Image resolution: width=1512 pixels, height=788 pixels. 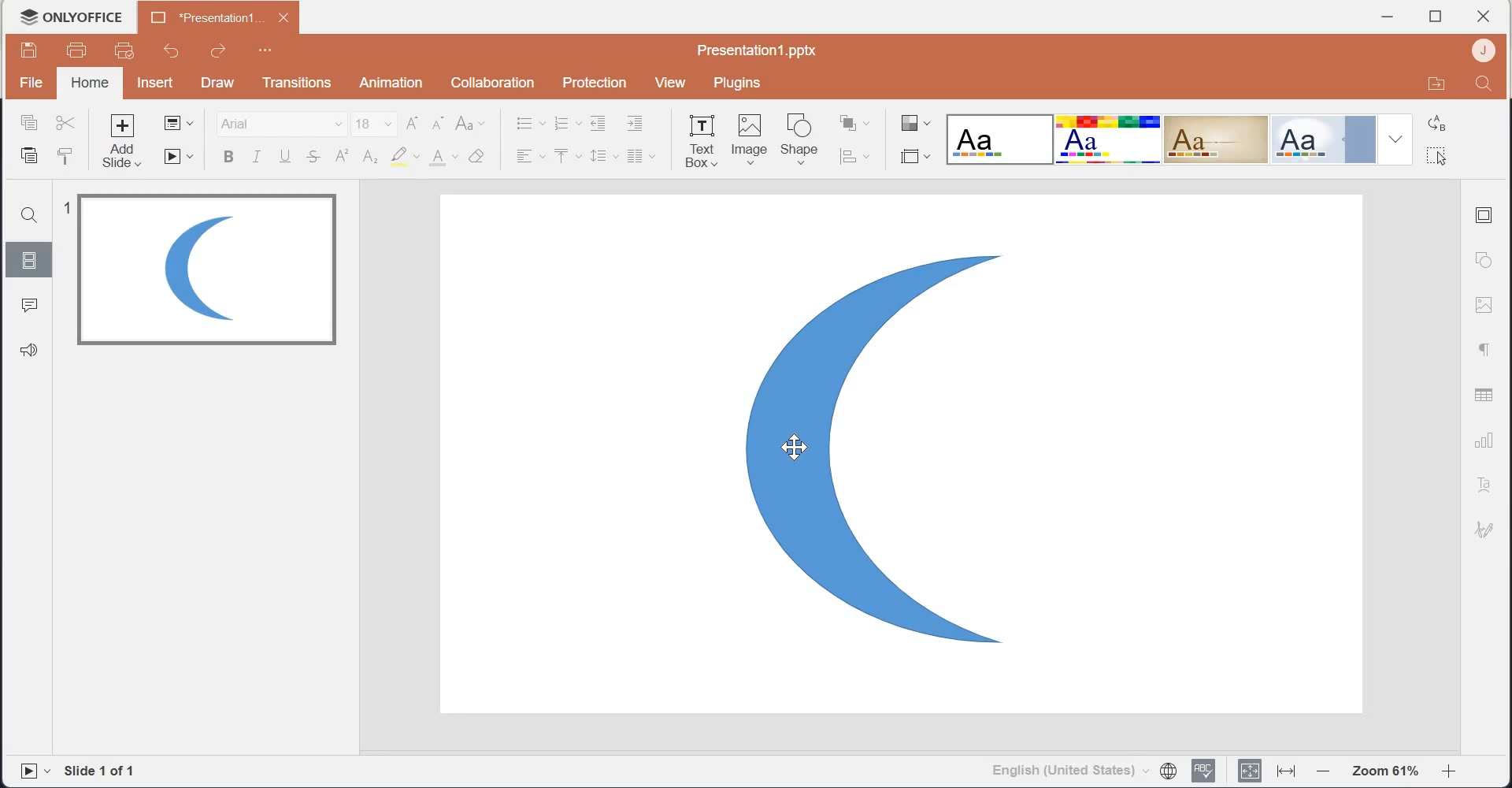 I want to click on Start slideshow, so click(x=180, y=157).